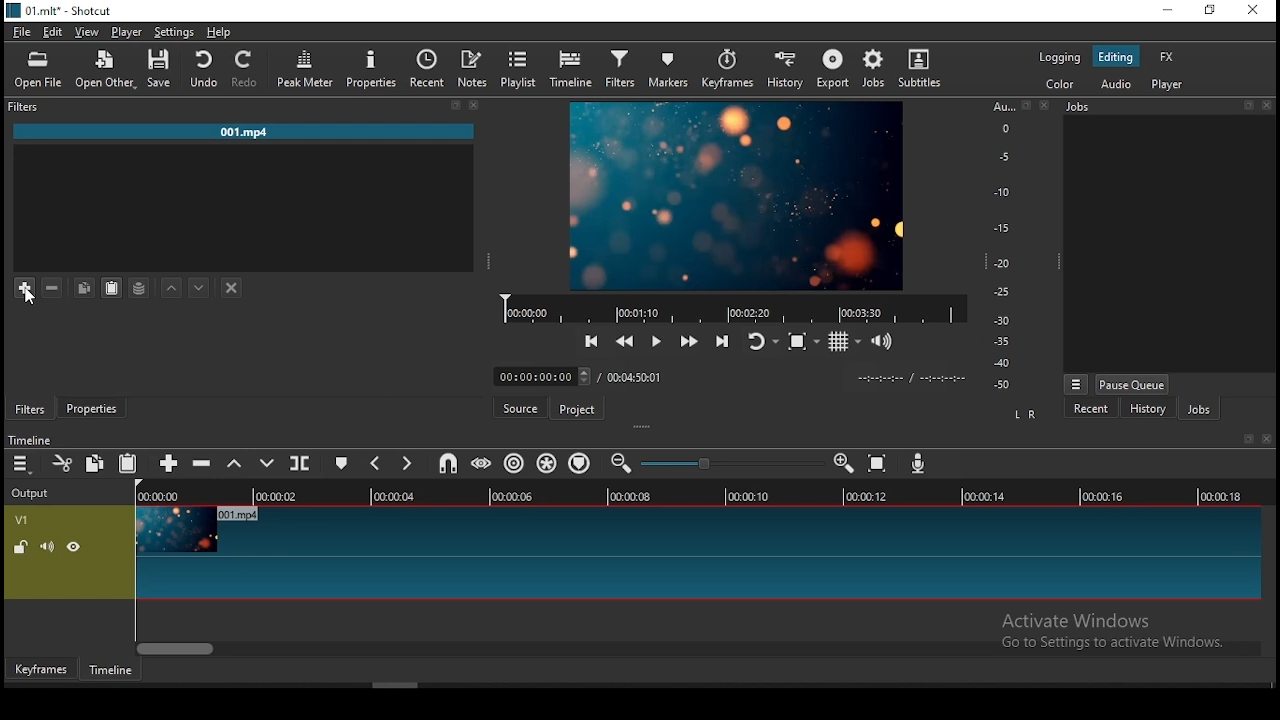 The height and width of the screenshot is (720, 1280). I want to click on L R, so click(1025, 416).